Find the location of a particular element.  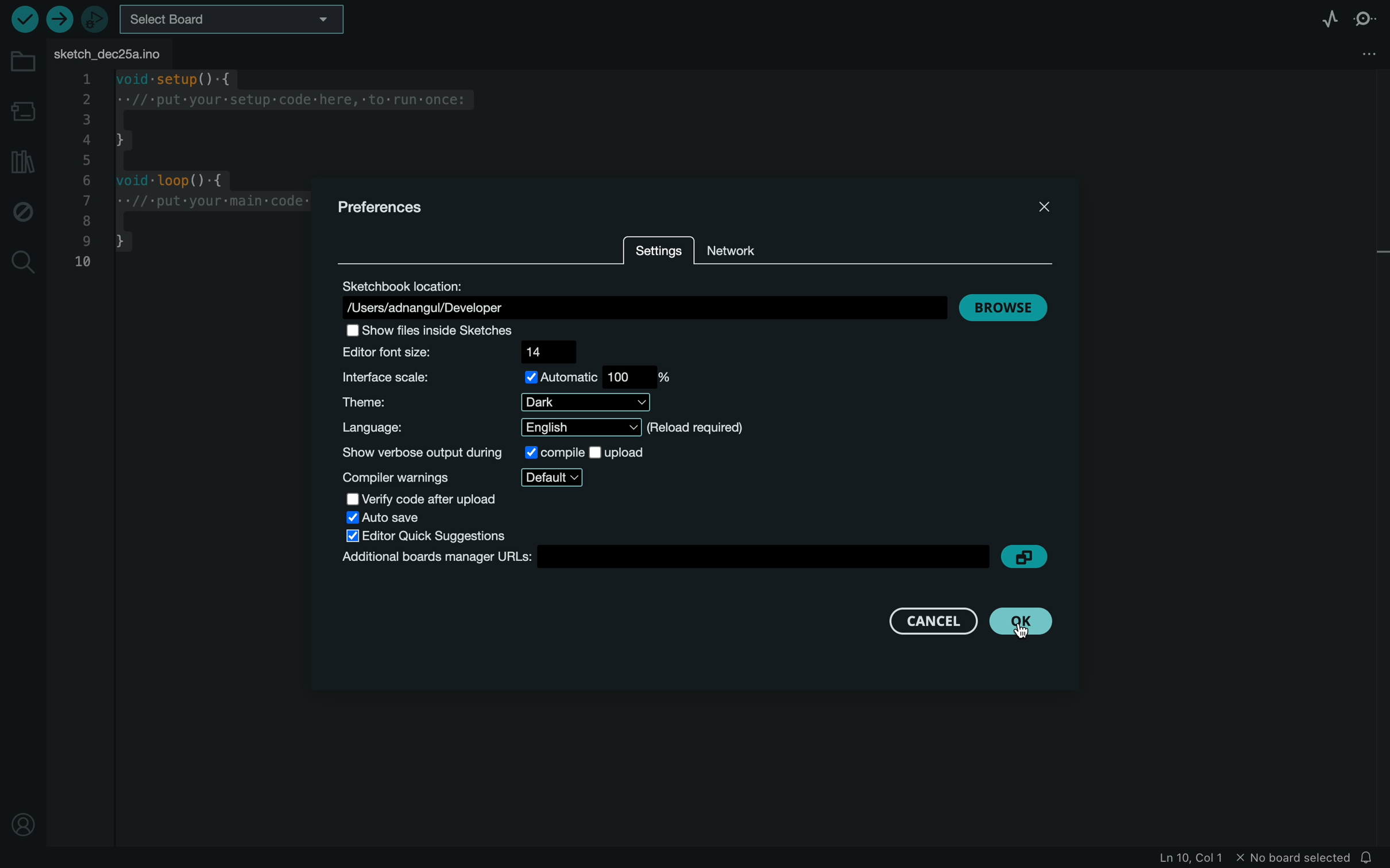

settings is located at coordinates (658, 253).